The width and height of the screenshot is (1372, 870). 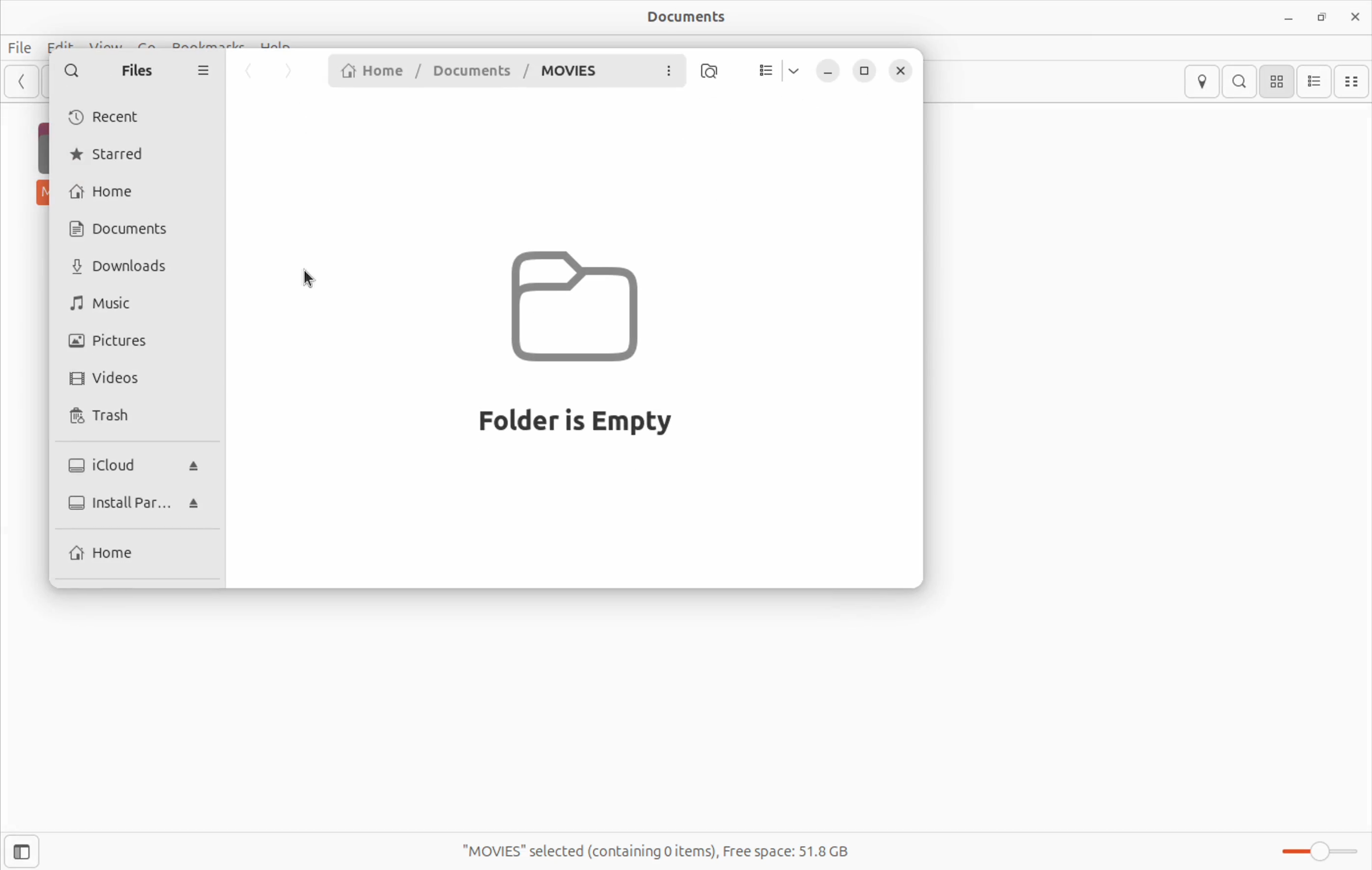 I want to click on search folder, so click(x=711, y=73).